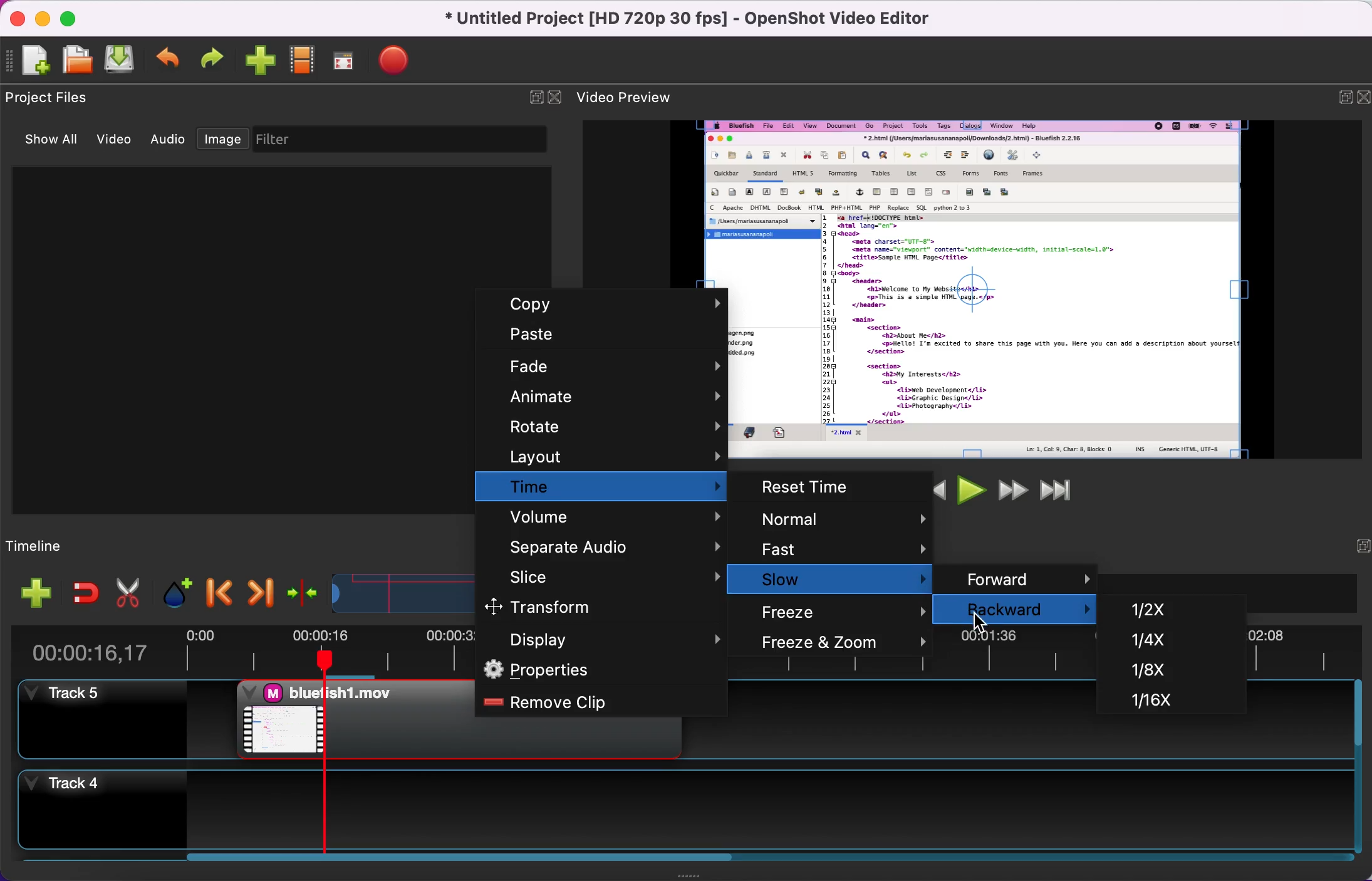 The image size is (1372, 881). I want to click on freeze and zoom, so click(845, 644).